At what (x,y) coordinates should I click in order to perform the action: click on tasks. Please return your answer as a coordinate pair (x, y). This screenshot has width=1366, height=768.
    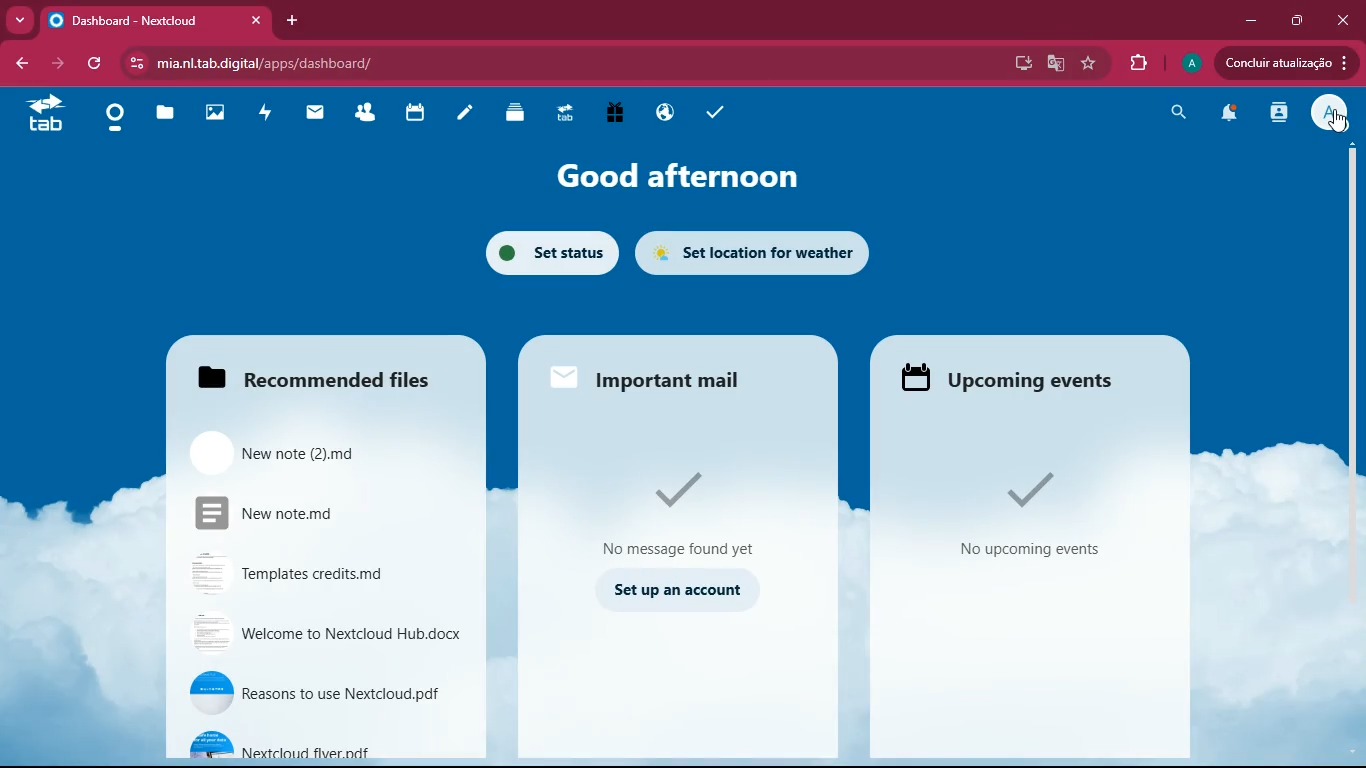
    Looking at the image, I should click on (717, 111).